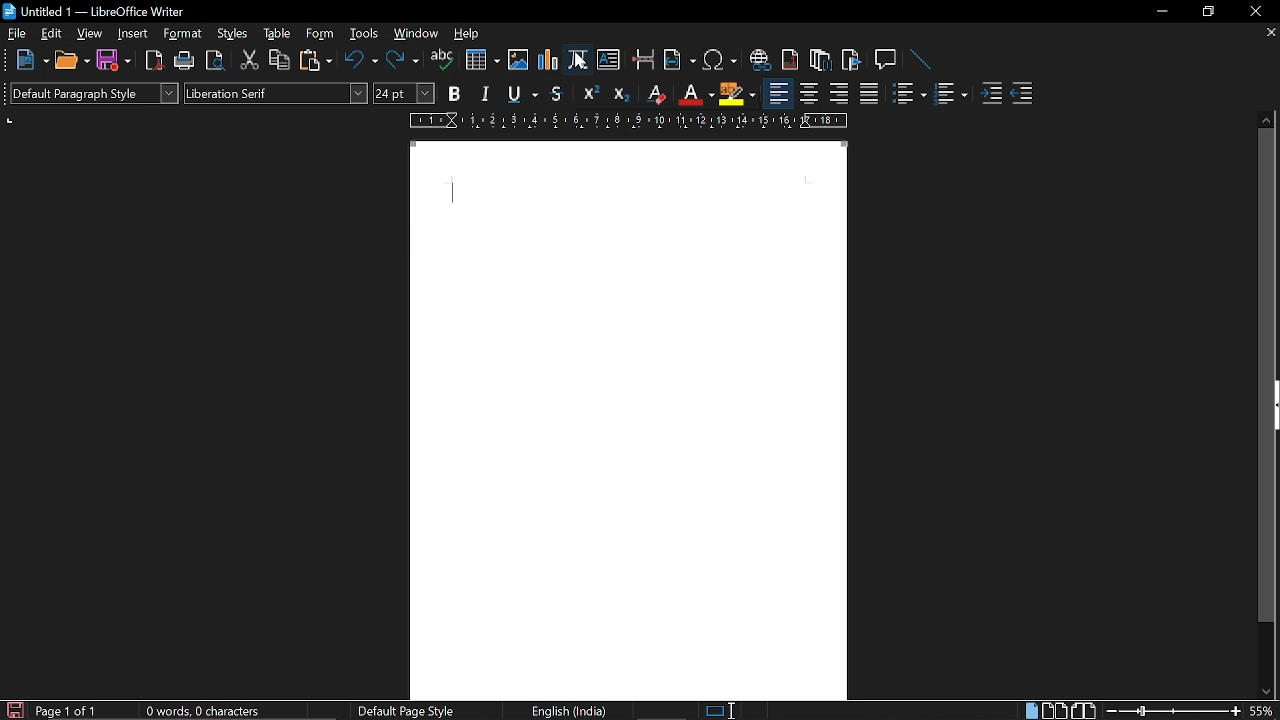 This screenshot has height=720, width=1280. What do you see at coordinates (547, 59) in the screenshot?
I see `insert chart` at bounding box center [547, 59].